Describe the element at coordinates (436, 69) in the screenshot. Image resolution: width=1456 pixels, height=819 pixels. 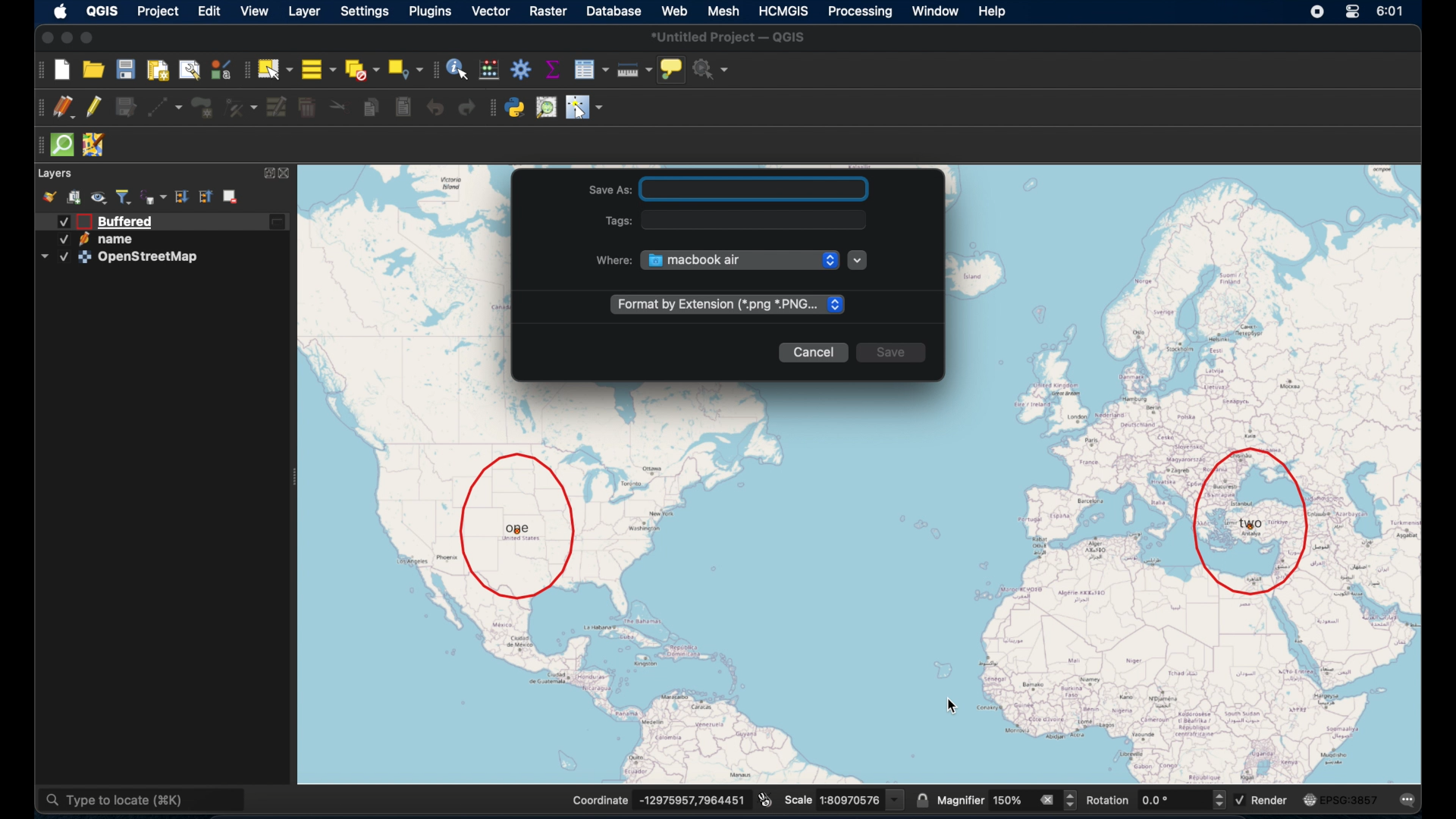
I see `drag handle` at that location.